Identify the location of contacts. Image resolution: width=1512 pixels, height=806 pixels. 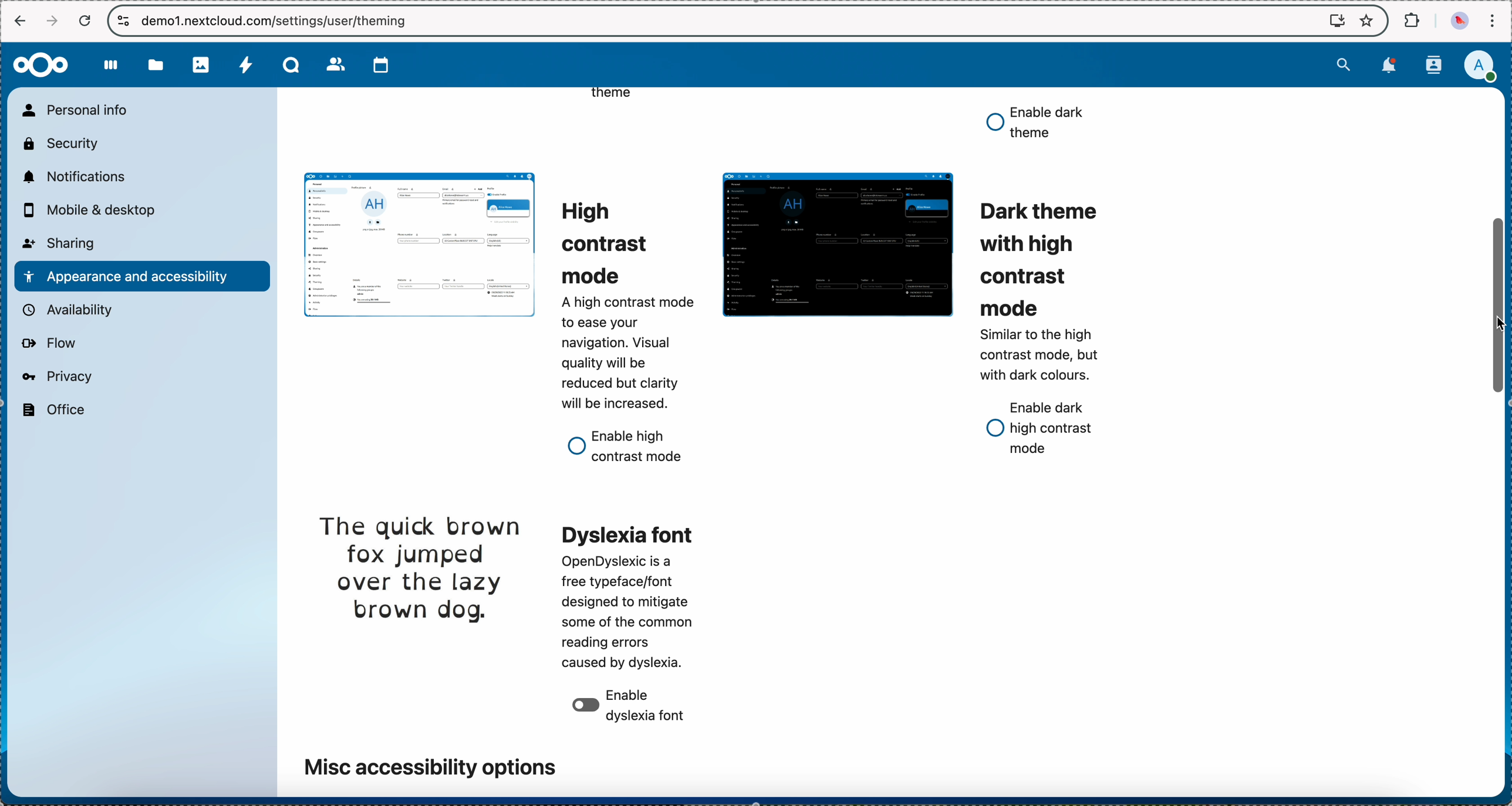
(1433, 65).